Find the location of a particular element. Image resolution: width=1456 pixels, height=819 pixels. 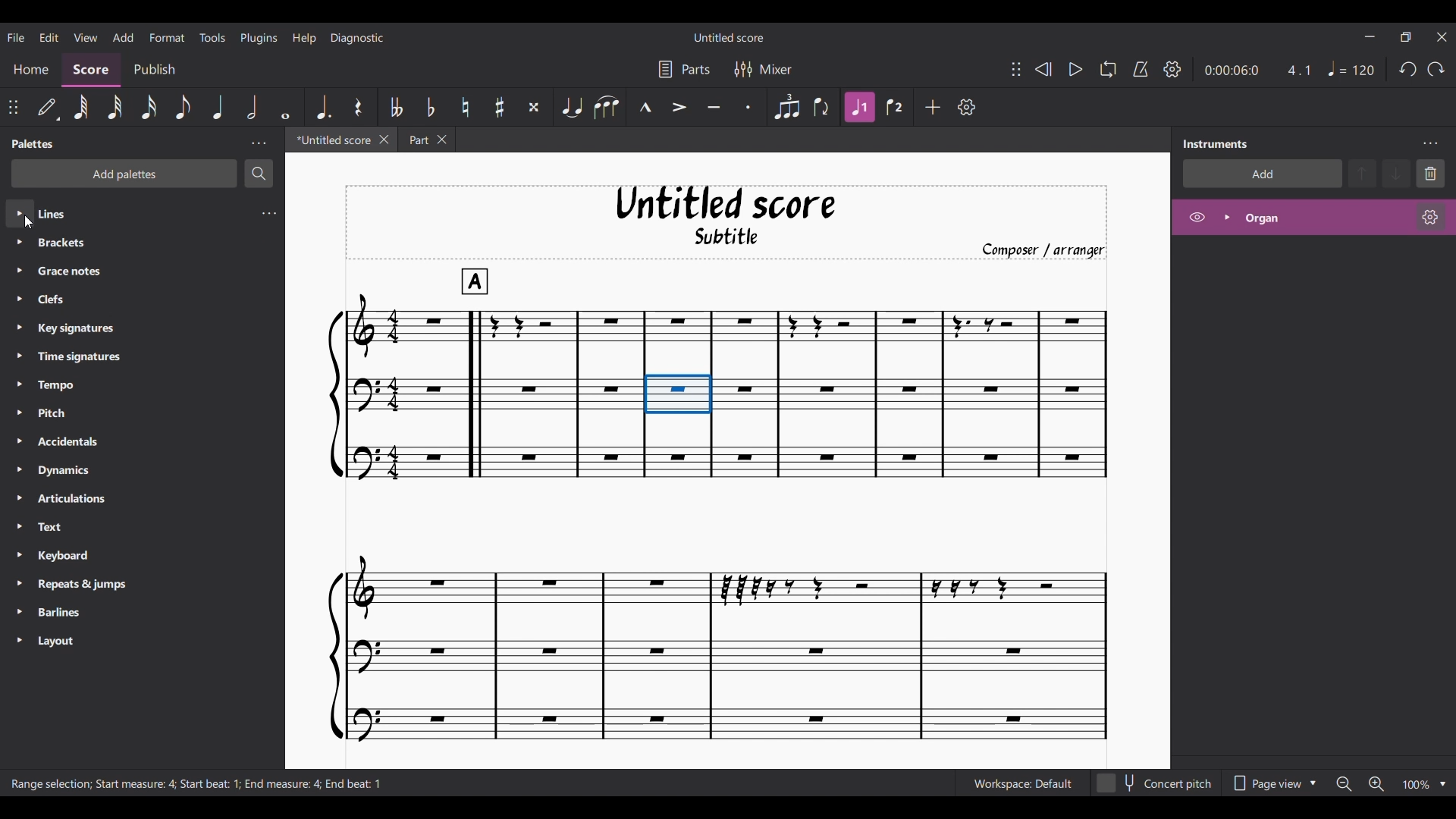

Delete is located at coordinates (1430, 174).